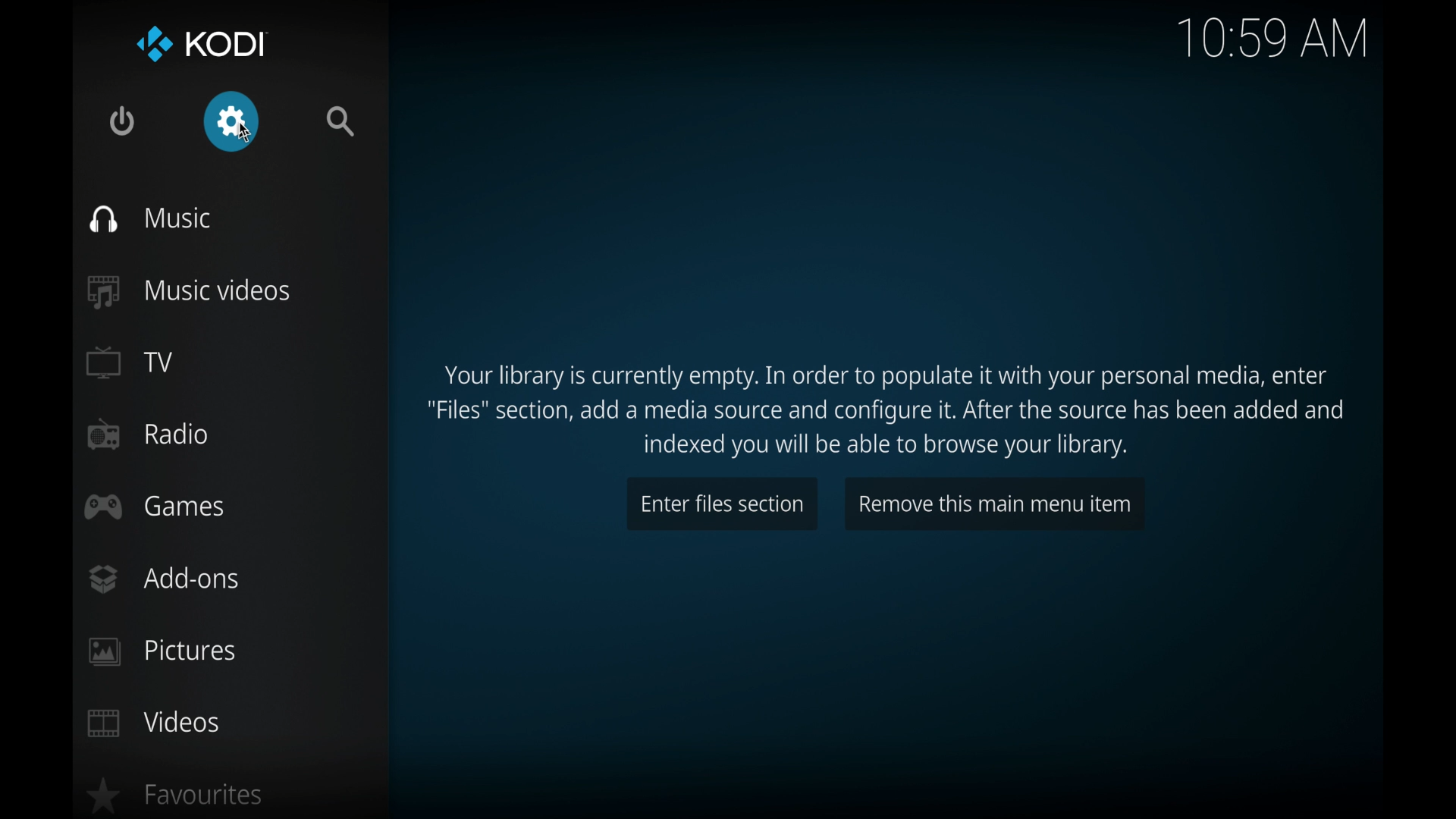 The height and width of the screenshot is (819, 1456). Describe the element at coordinates (121, 121) in the screenshot. I see `quit kodi` at that location.